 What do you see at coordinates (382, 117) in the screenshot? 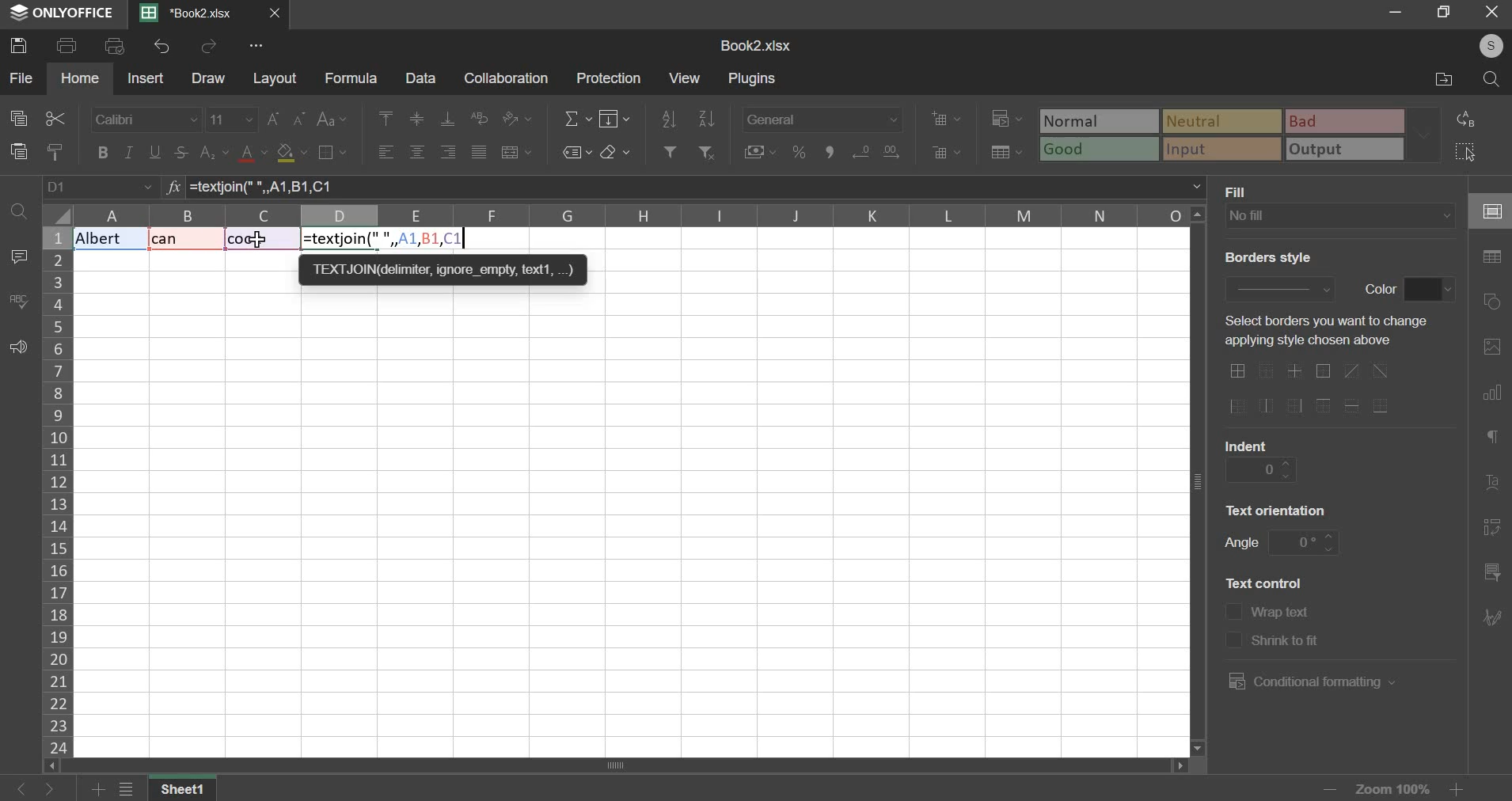
I see `align left` at bounding box center [382, 117].